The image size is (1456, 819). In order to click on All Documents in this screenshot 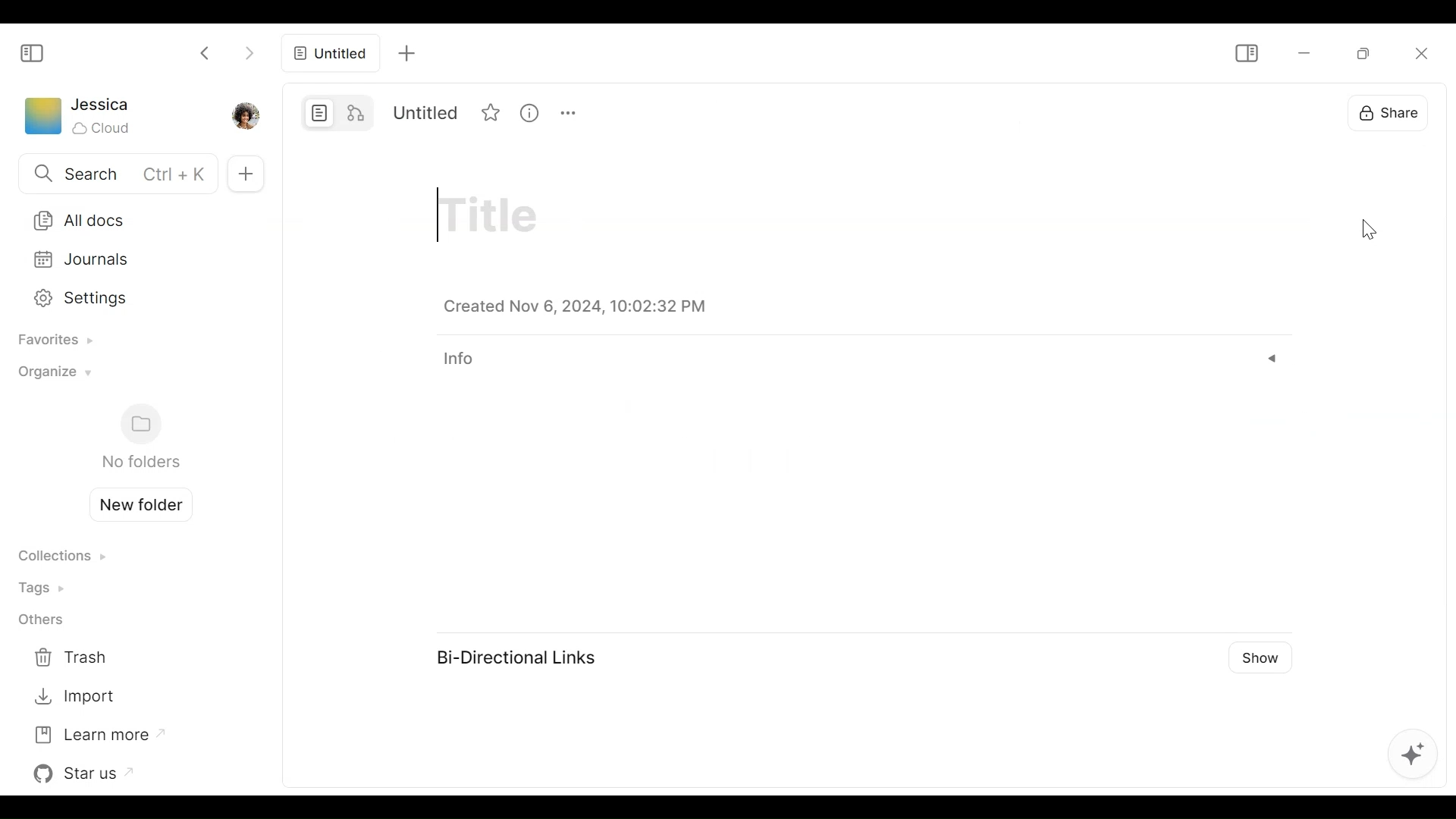, I will do `click(130, 219)`.